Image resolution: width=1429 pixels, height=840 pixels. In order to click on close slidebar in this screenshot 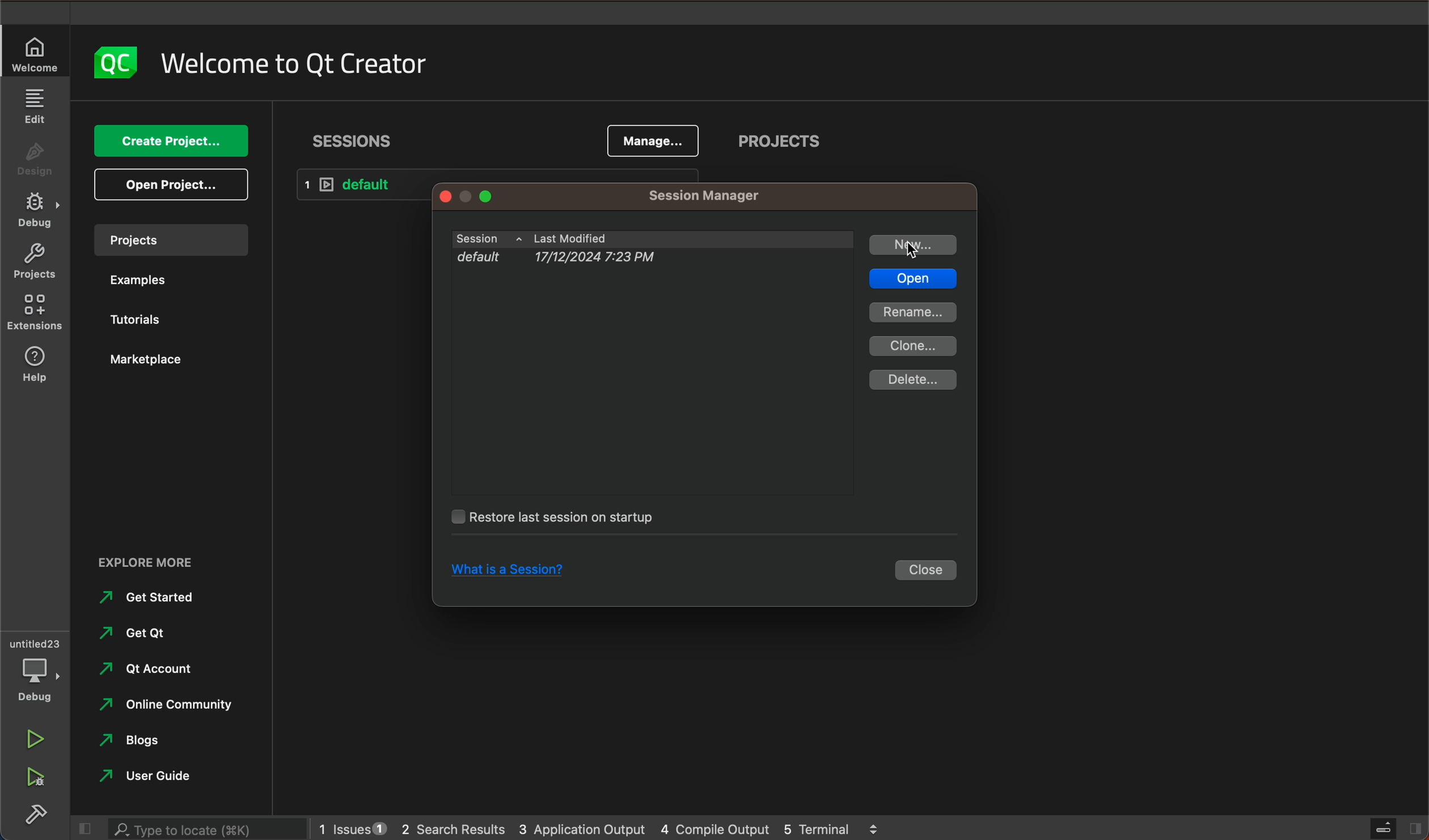, I will do `click(1394, 827)`.